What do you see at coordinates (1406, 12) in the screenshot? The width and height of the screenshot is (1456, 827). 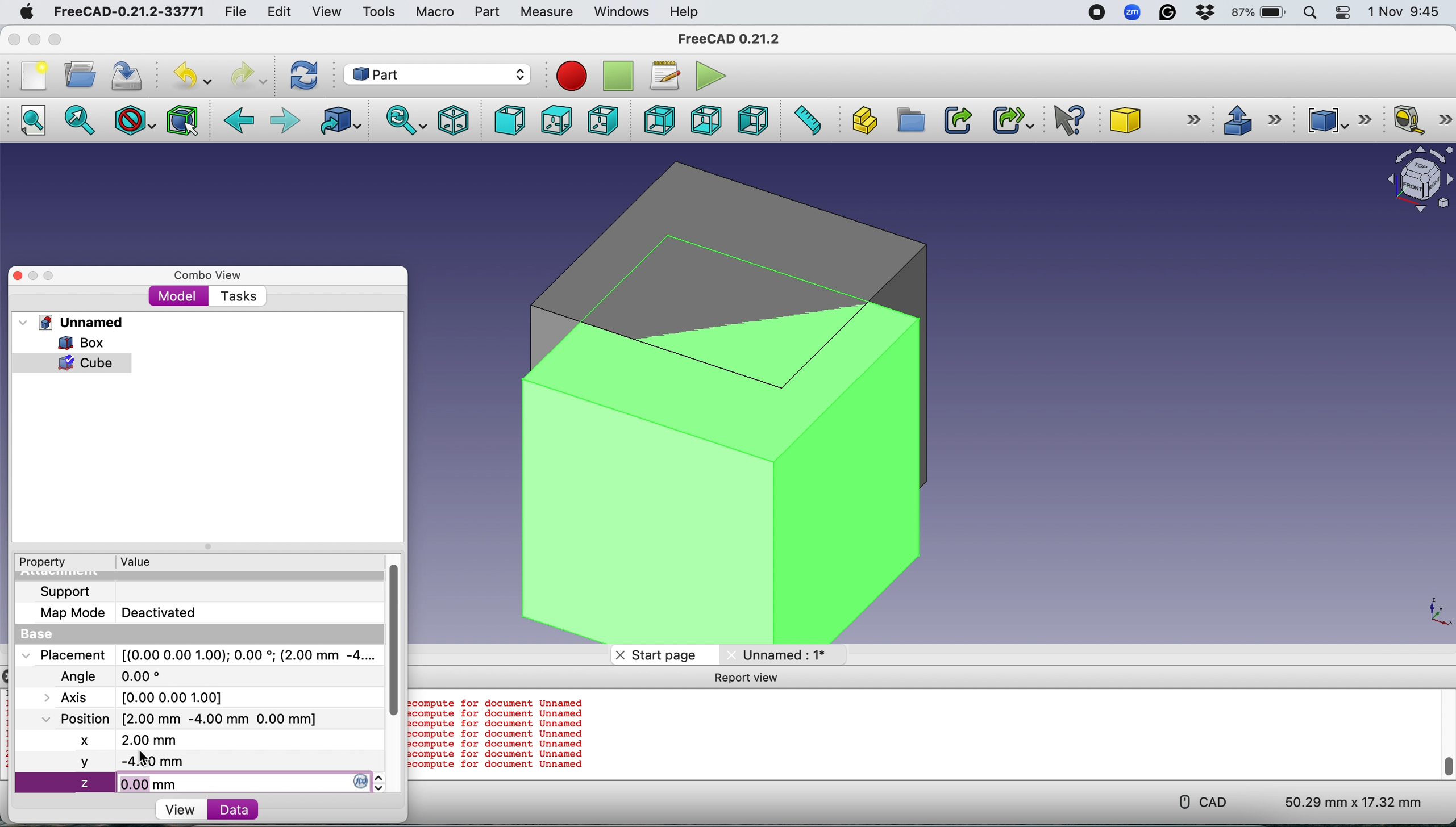 I see `1 Nov 9:45` at bounding box center [1406, 12].